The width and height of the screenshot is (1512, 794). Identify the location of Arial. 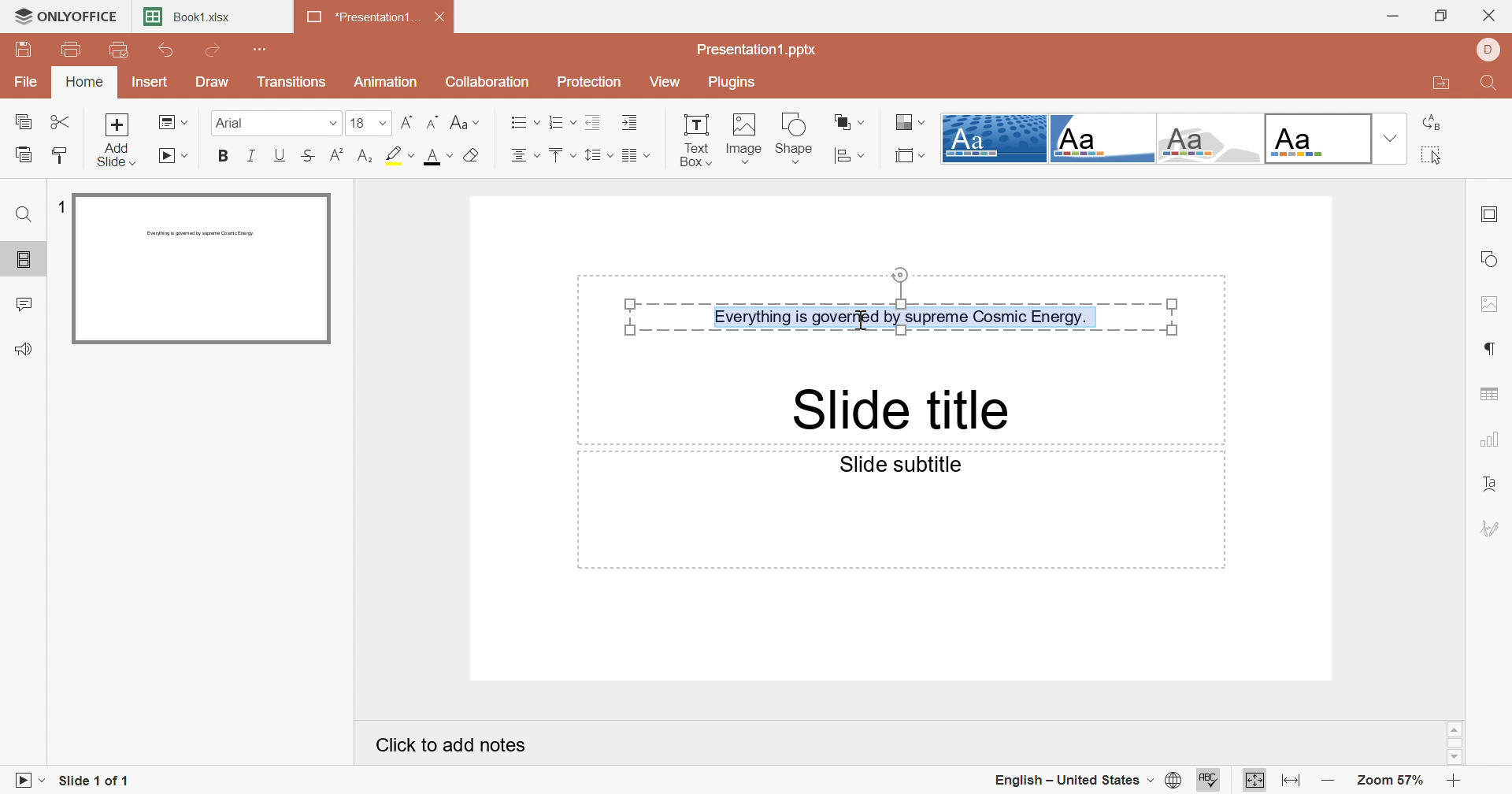
(276, 123).